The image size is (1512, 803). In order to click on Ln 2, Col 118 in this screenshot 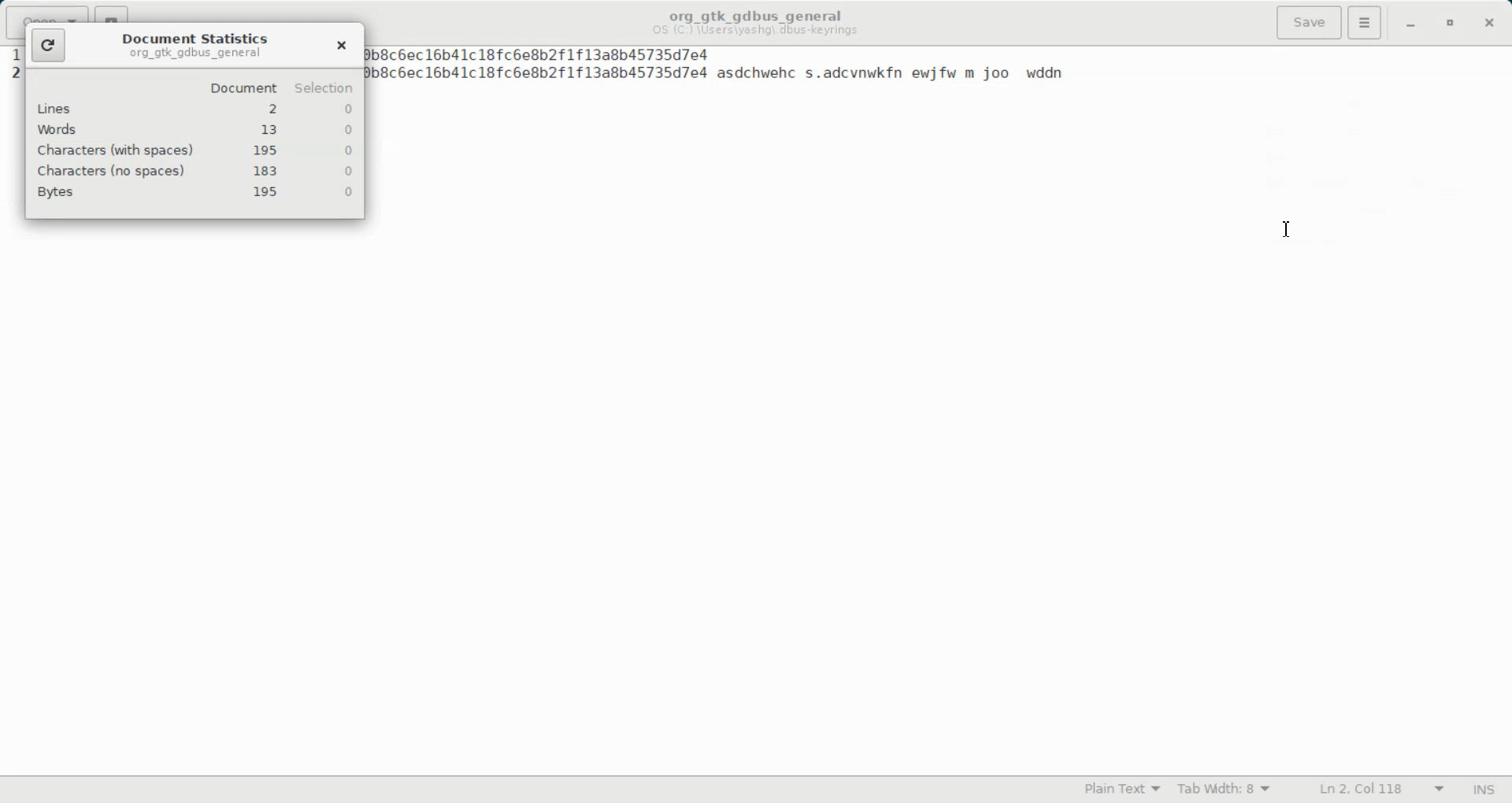, I will do `click(1381, 789)`.